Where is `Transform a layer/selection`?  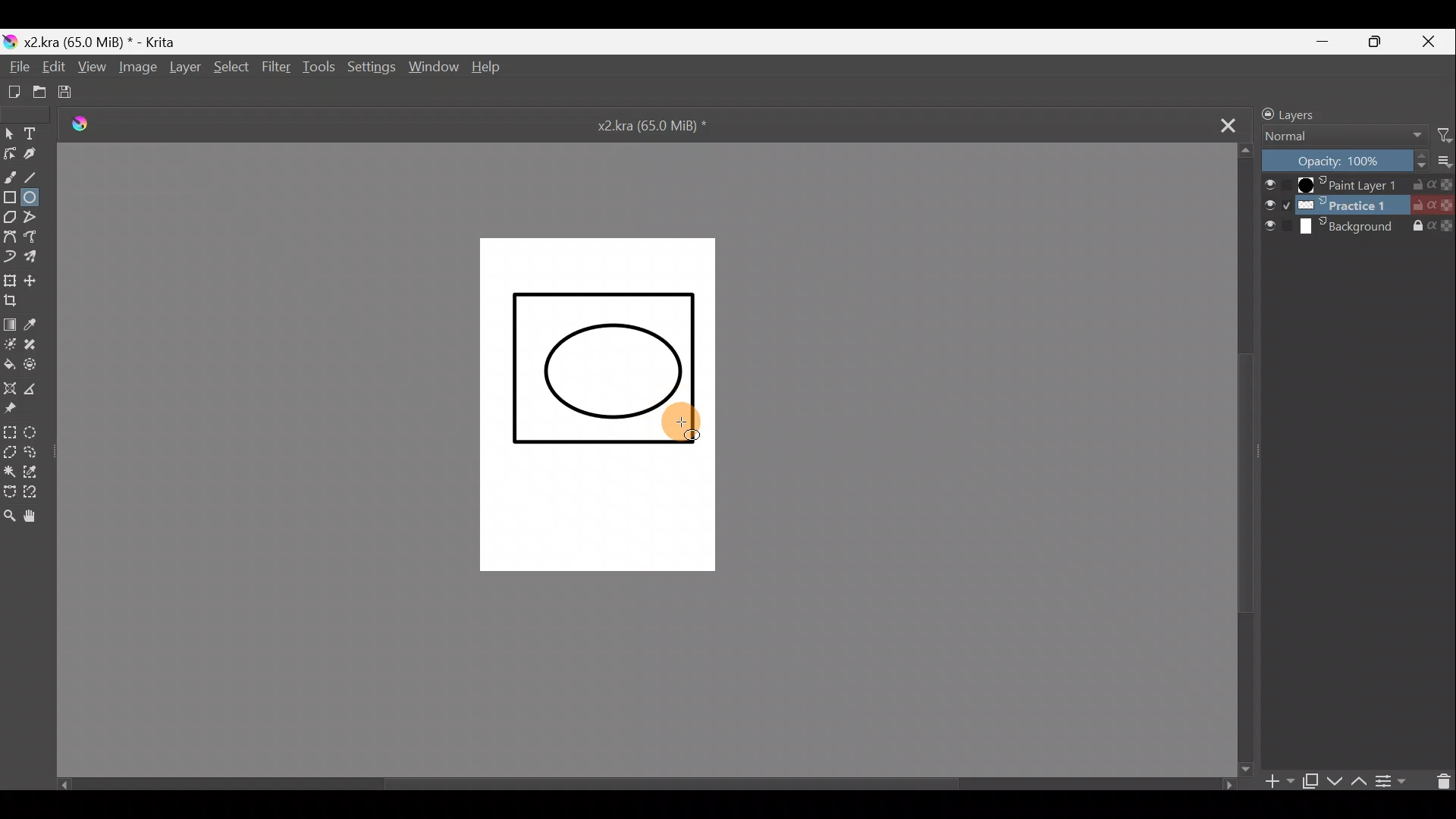 Transform a layer/selection is located at coordinates (12, 280).